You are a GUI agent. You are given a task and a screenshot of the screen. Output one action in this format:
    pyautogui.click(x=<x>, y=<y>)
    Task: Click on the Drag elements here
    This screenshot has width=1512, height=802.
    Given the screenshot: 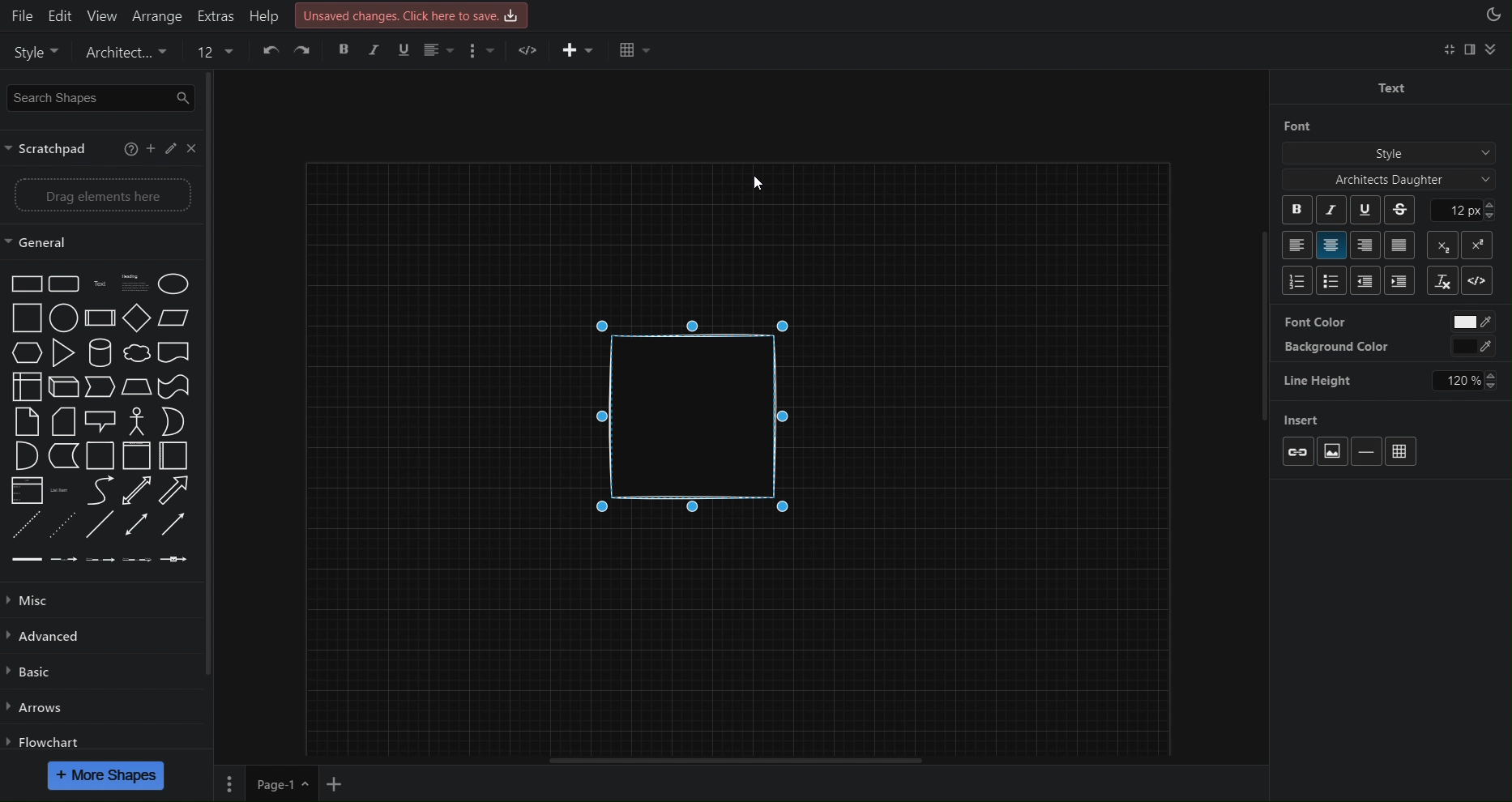 What is the action you would take?
    pyautogui.click(x=98, y=195)
    